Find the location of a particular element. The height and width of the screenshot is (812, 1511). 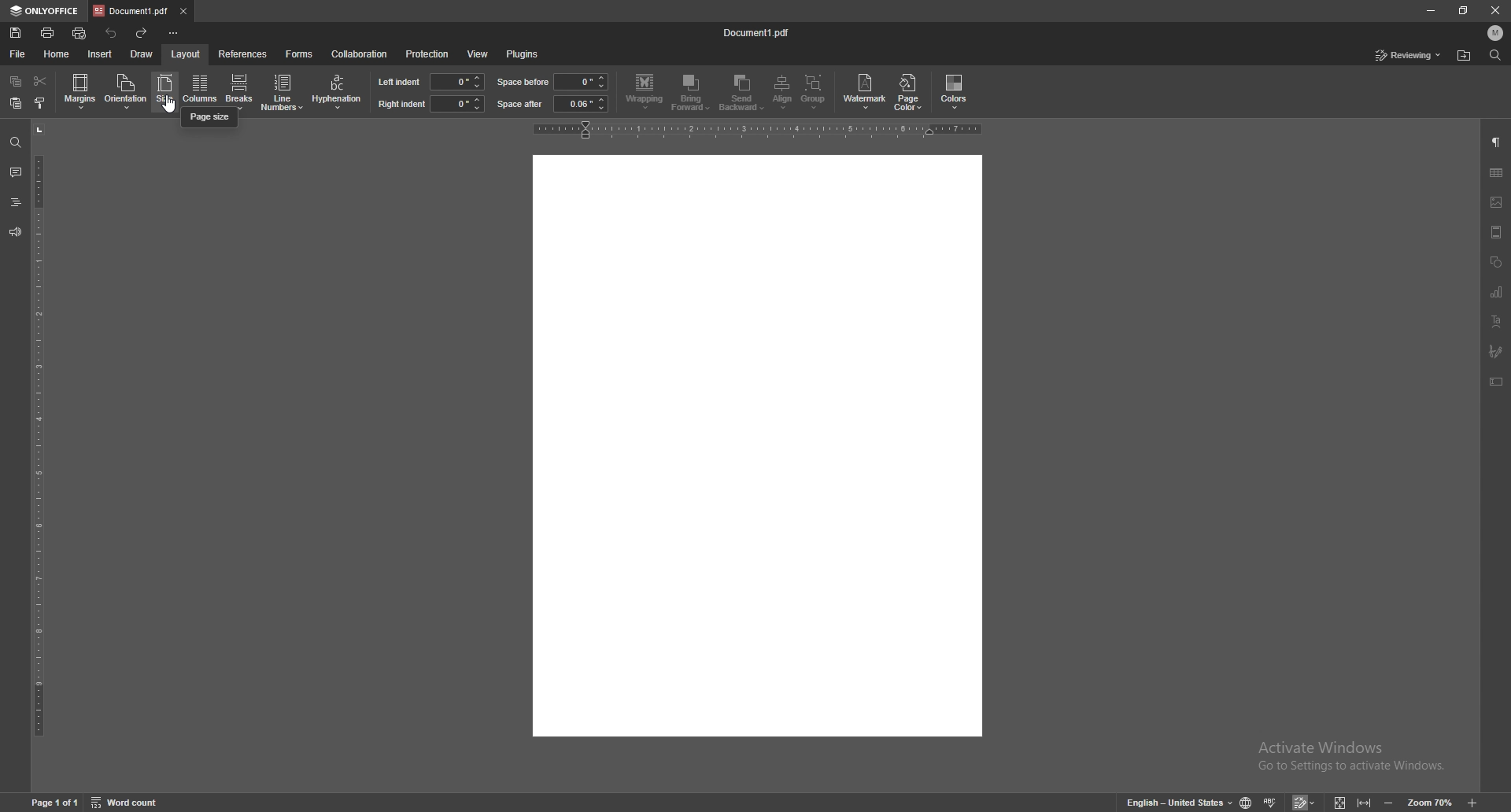

zoom 70% is located at coordinates (1429, 803).